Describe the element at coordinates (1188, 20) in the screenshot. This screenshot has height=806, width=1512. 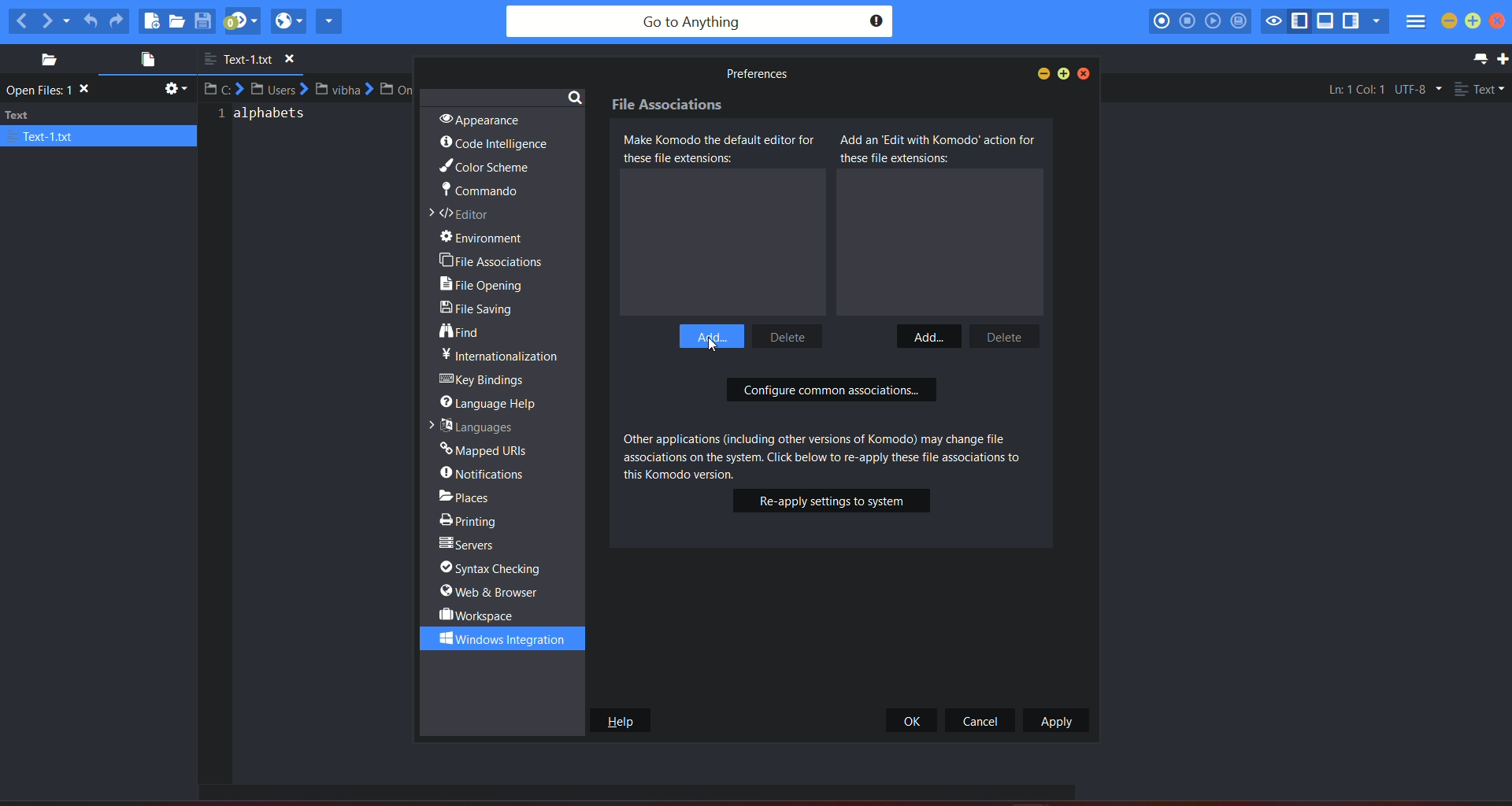
I see `stop recording` at that location.